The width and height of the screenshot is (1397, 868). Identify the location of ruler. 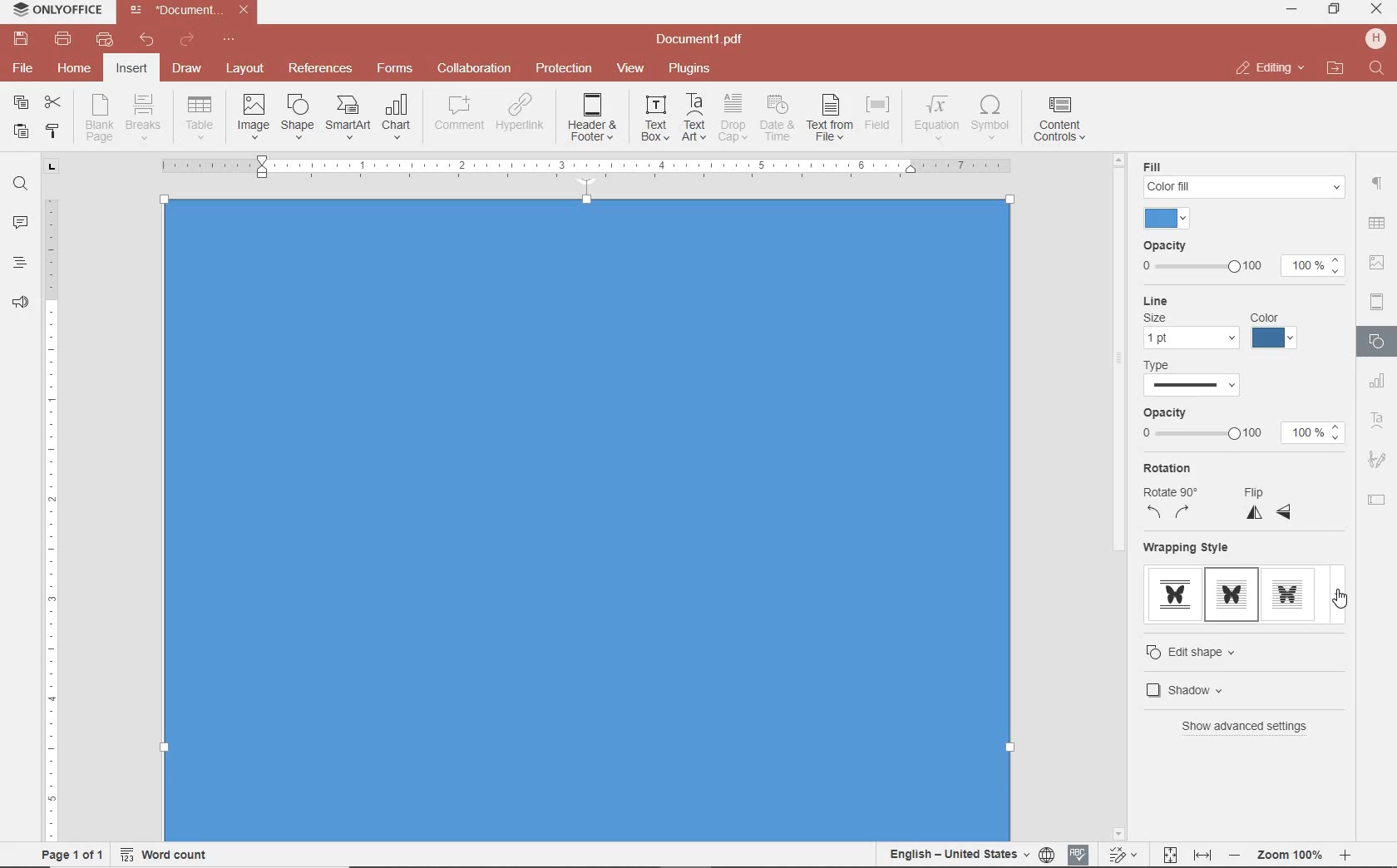
(52, 508).